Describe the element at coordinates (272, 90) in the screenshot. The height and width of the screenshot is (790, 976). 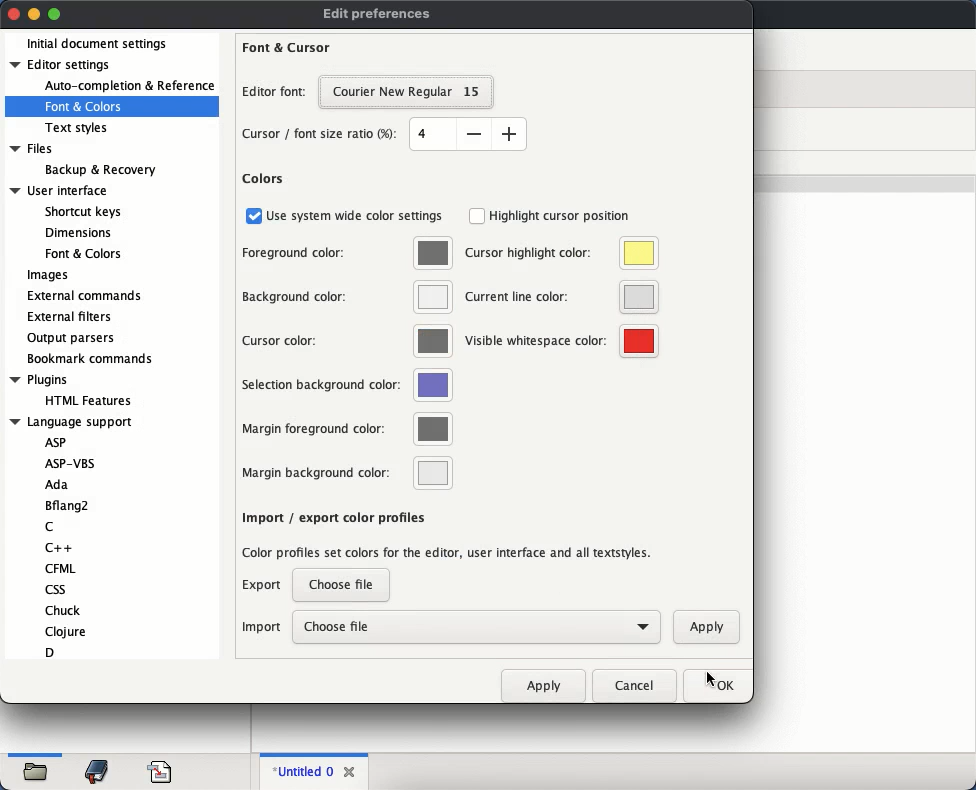
I see `editor font` at that location.